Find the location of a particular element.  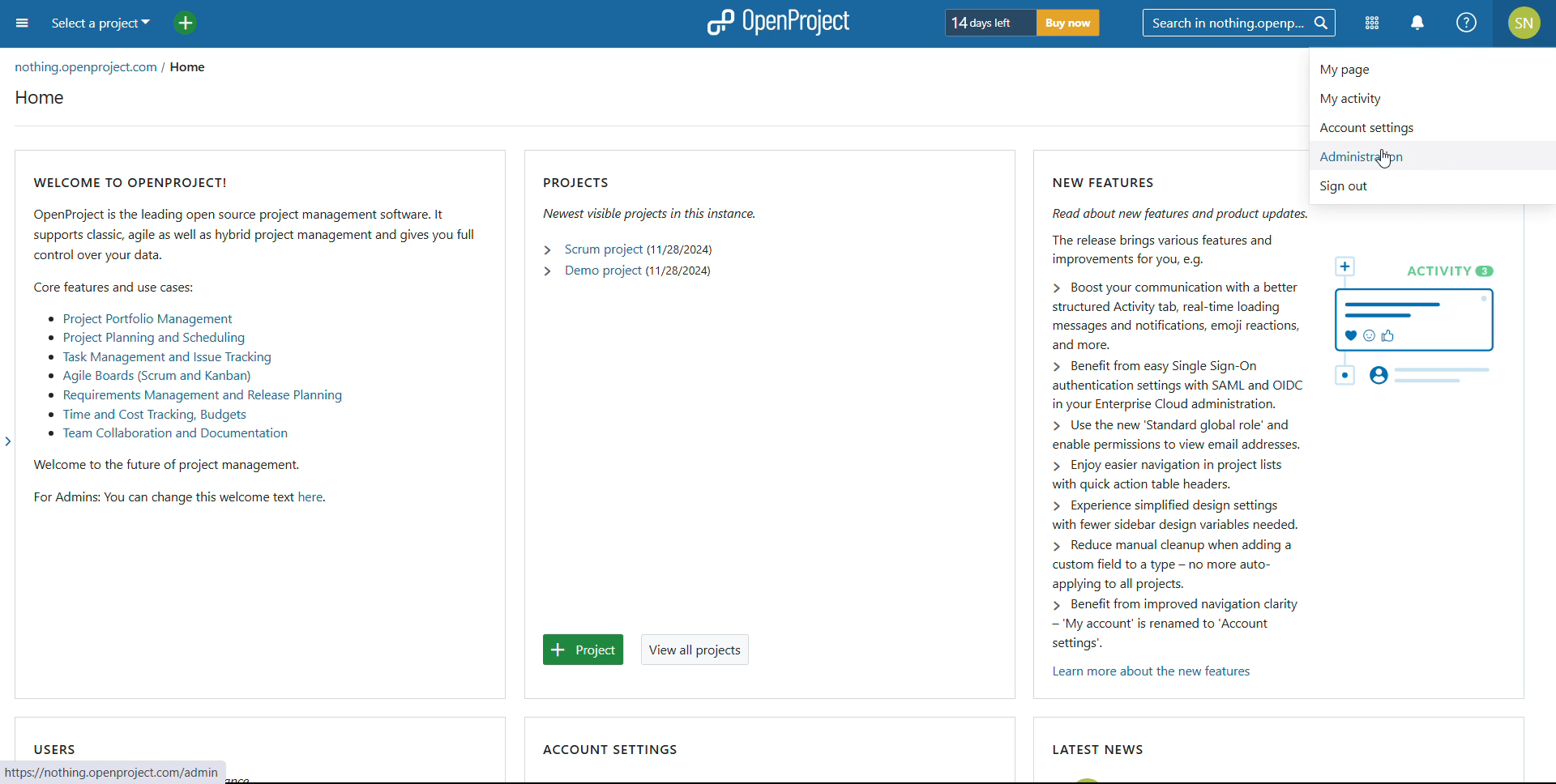

my page is located at coordinates (1433, 64).